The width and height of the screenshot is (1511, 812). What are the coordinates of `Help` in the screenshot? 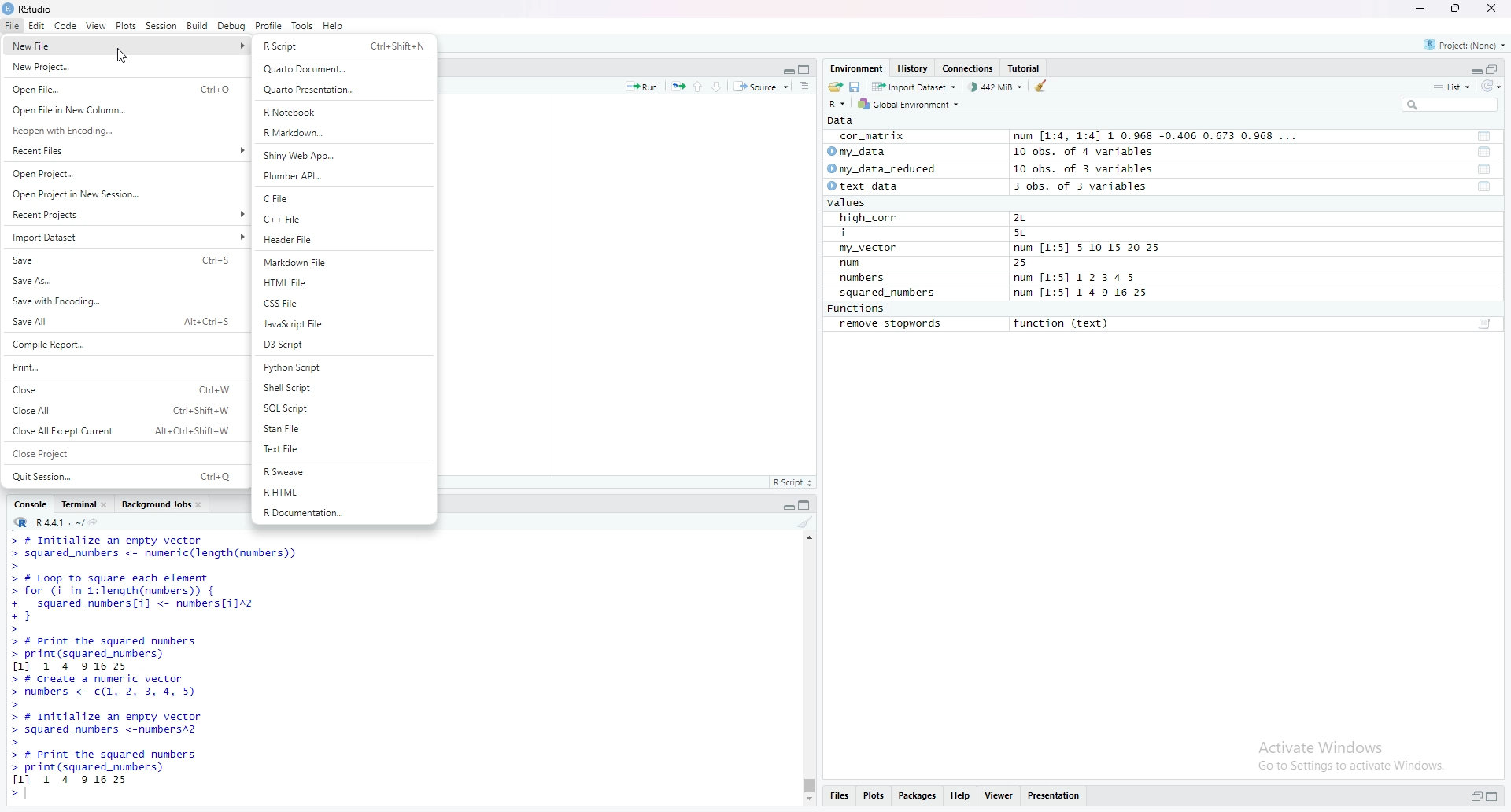 It's located at (962, 798).